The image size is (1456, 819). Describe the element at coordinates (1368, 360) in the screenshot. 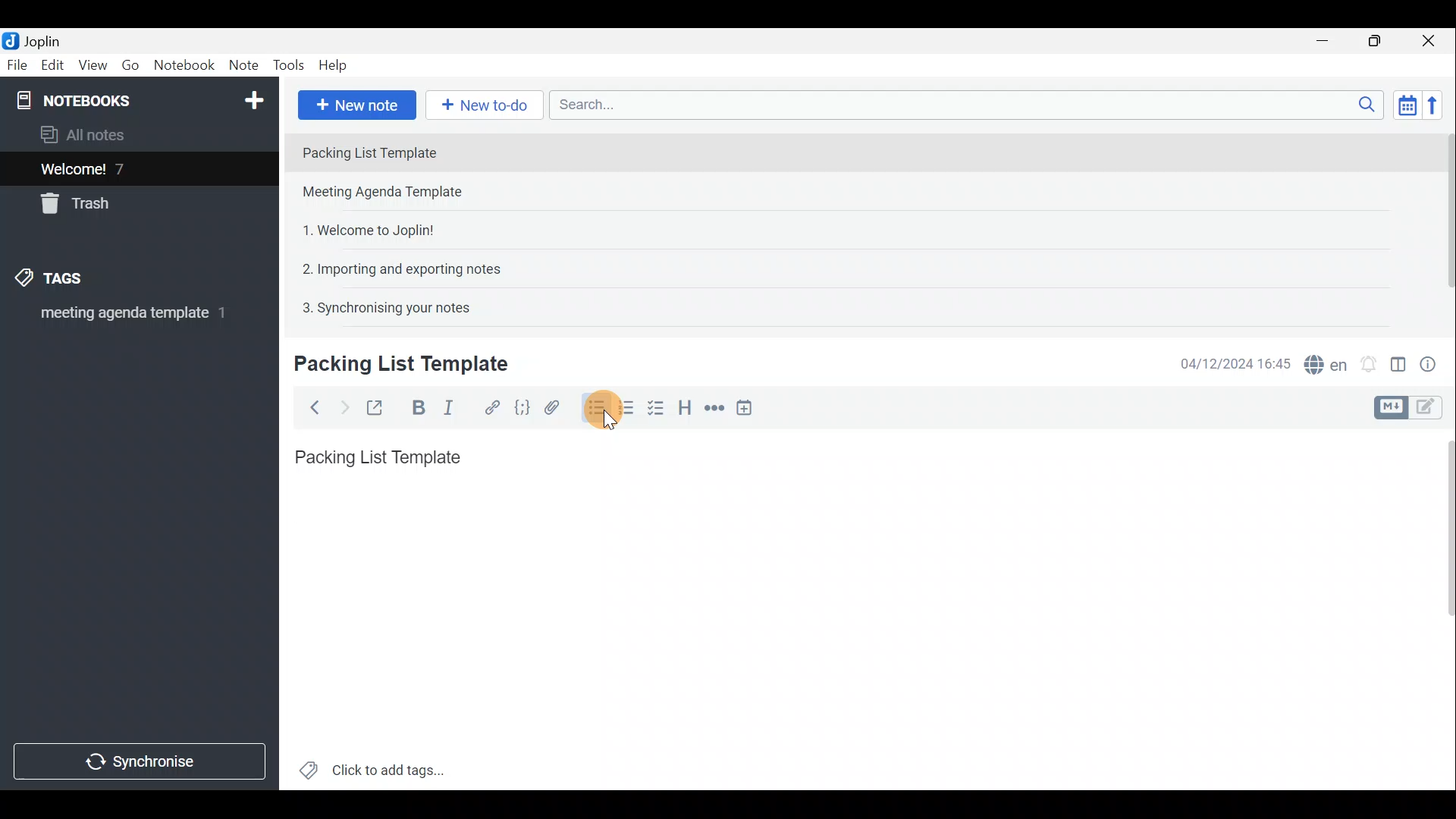

I see `Set alarm` at that location.